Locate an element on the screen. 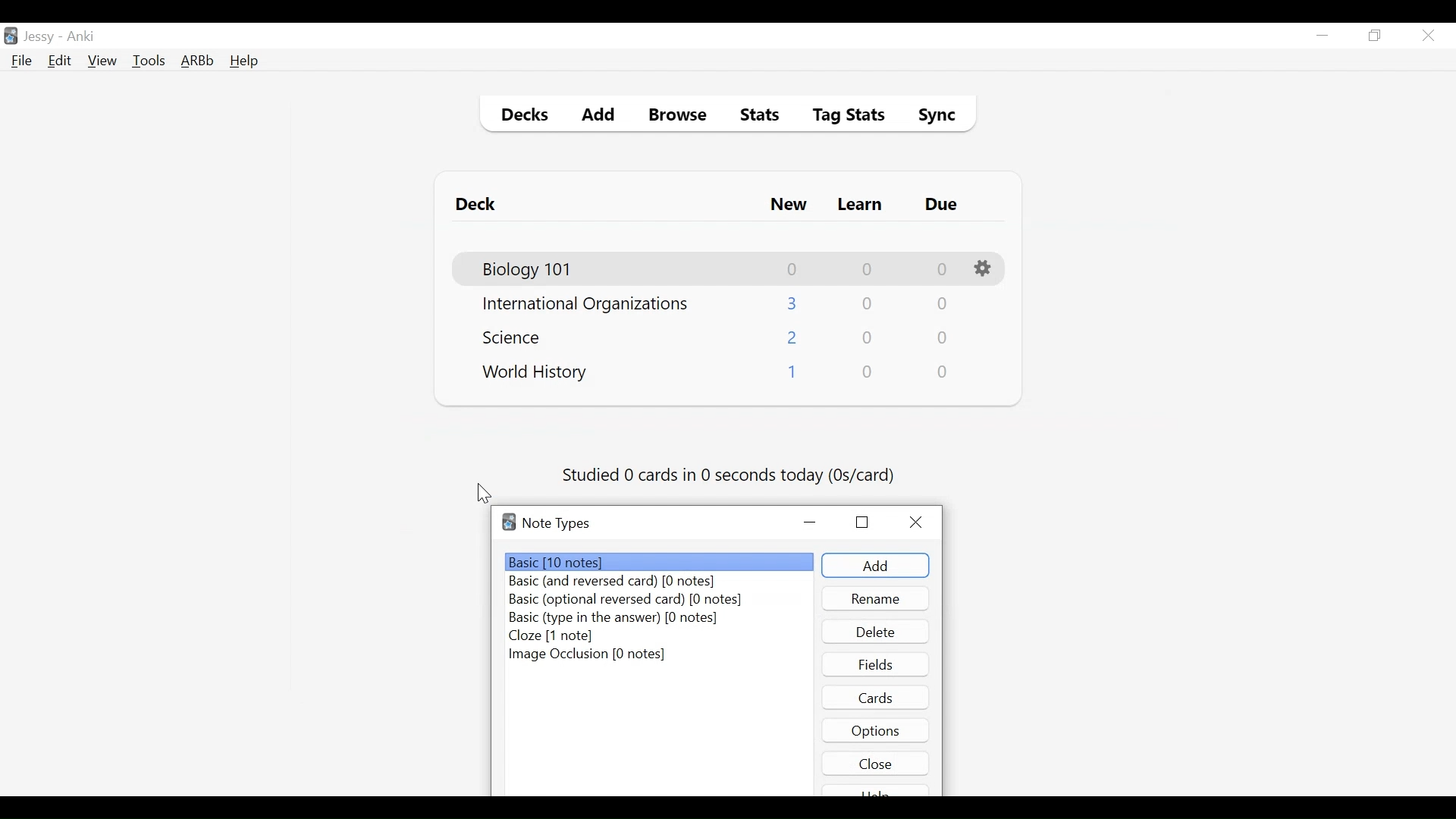 This screenshot has width=1456, height=819. View is located at coordinates (103, 61).